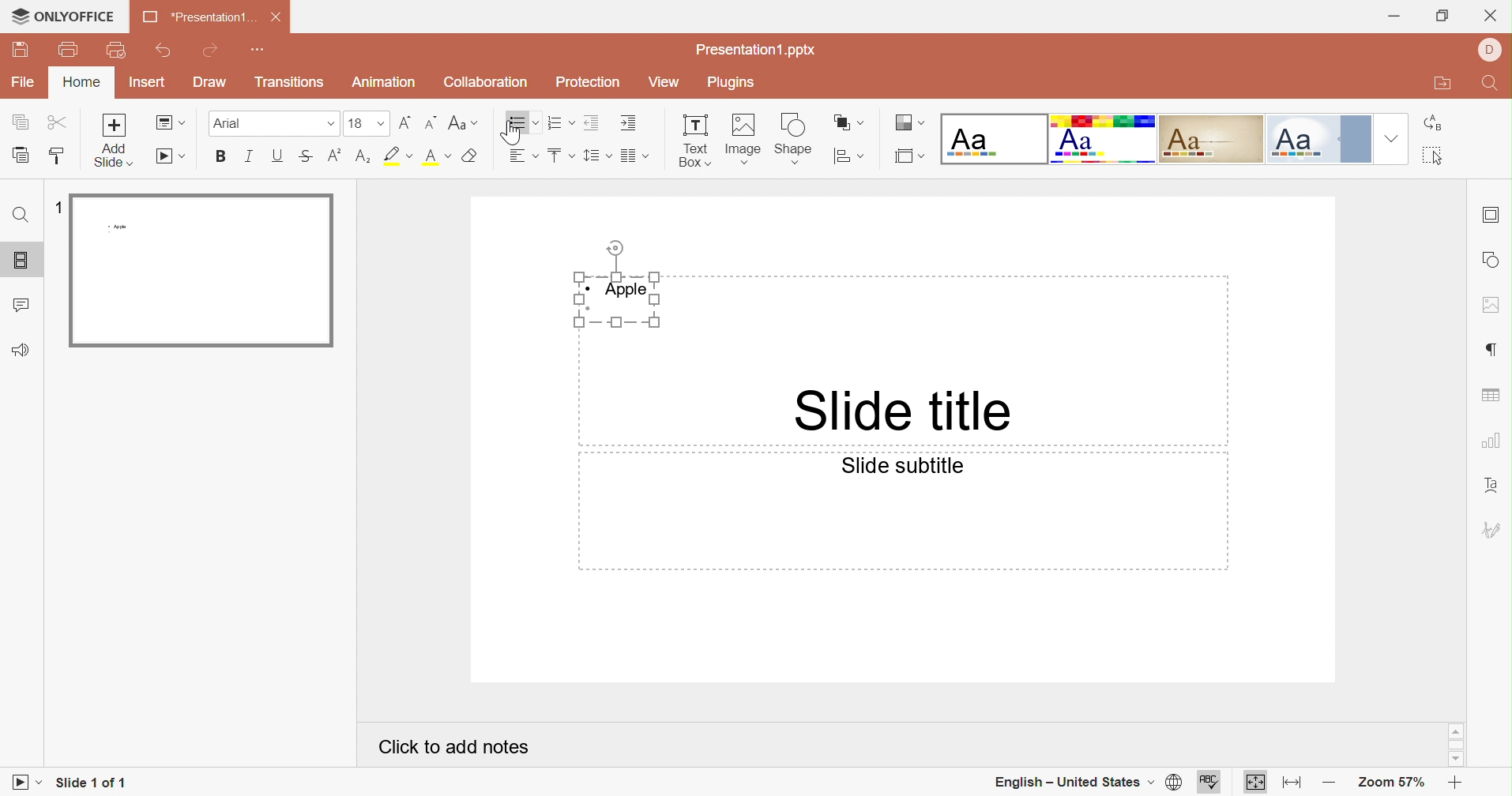  What do you see at coordinates (18, 217) in the screenshot?
I see `Find` at bounding box center [18, 217].